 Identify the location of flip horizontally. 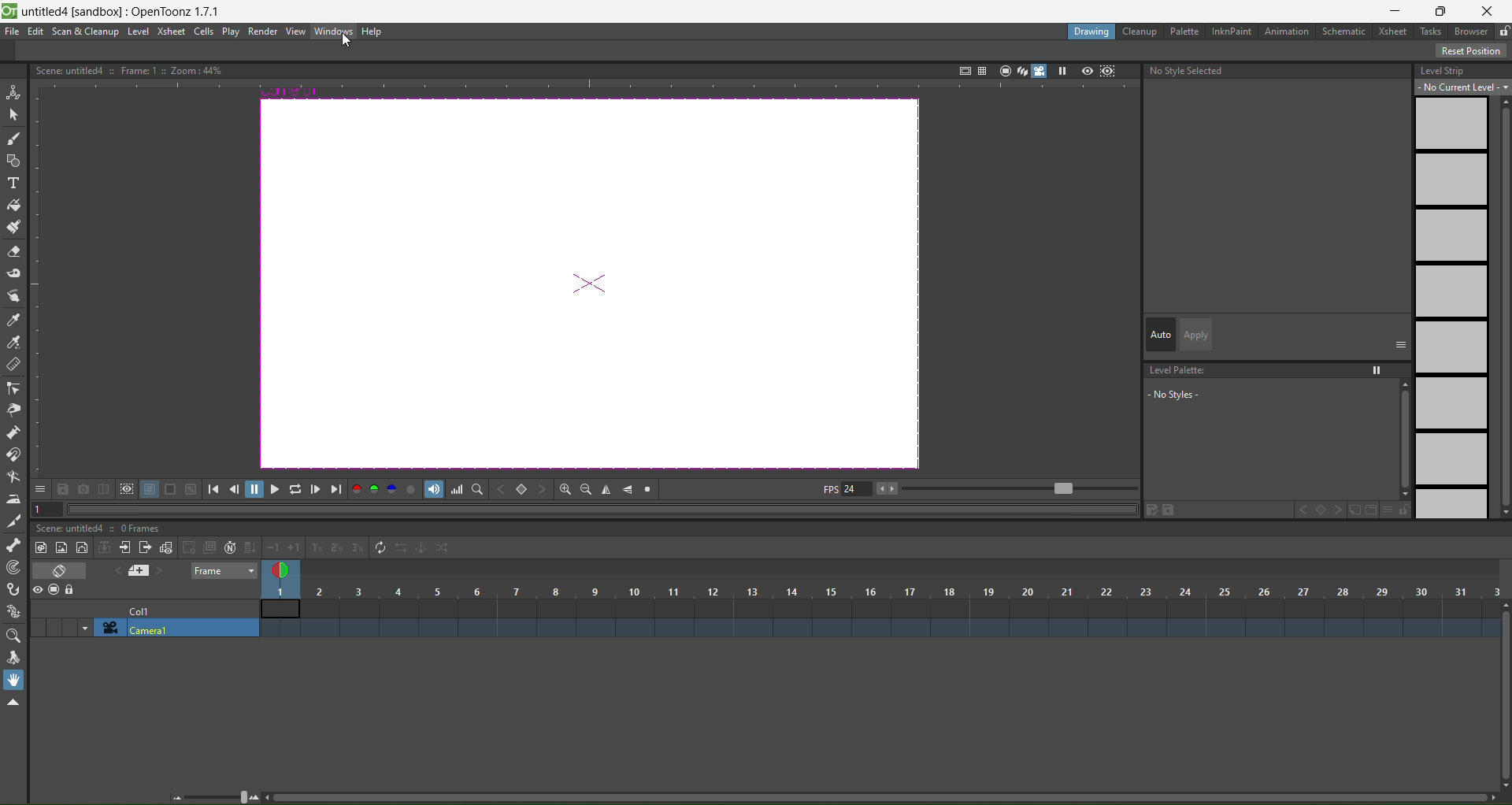
(606, 491).